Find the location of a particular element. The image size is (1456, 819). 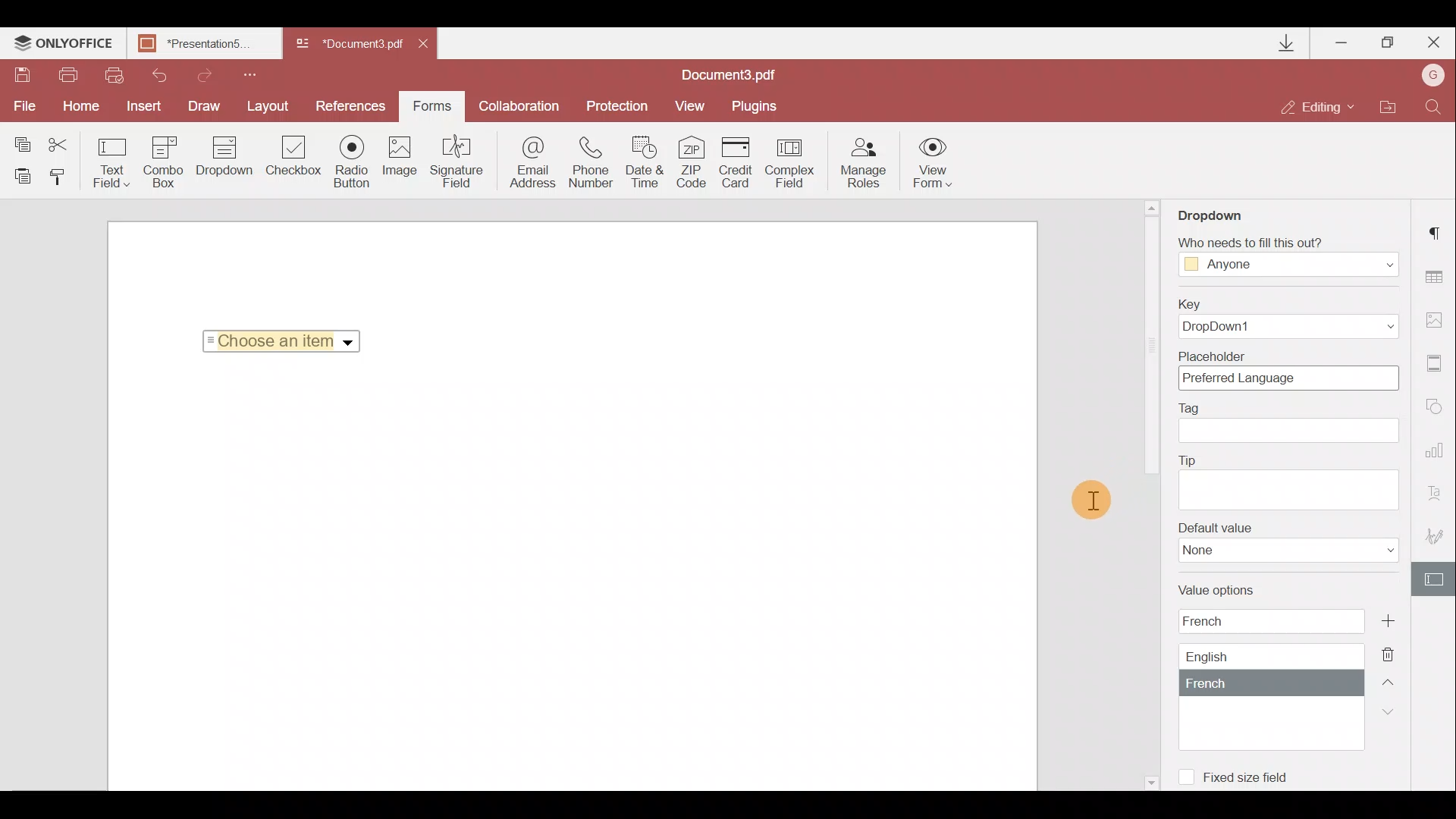

Drop down is located at coordinates (224, 158).